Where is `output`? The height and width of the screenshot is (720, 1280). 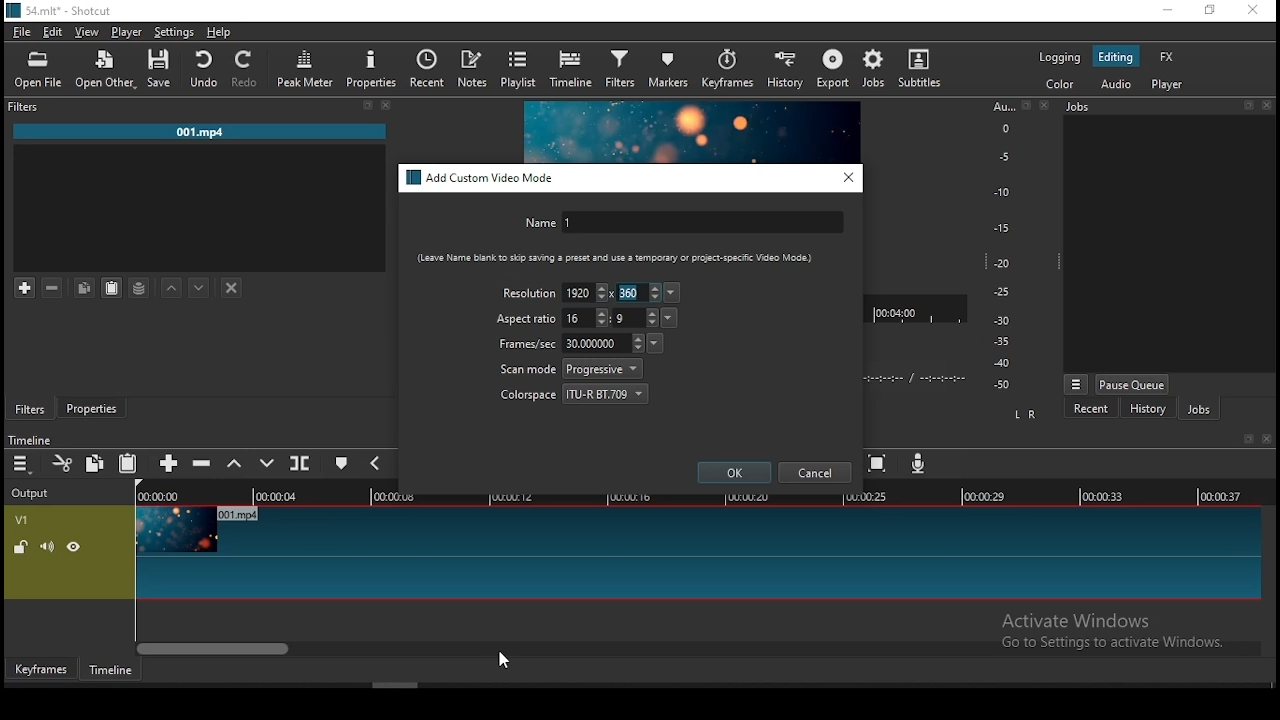 output is located at coordinates (33, 494).